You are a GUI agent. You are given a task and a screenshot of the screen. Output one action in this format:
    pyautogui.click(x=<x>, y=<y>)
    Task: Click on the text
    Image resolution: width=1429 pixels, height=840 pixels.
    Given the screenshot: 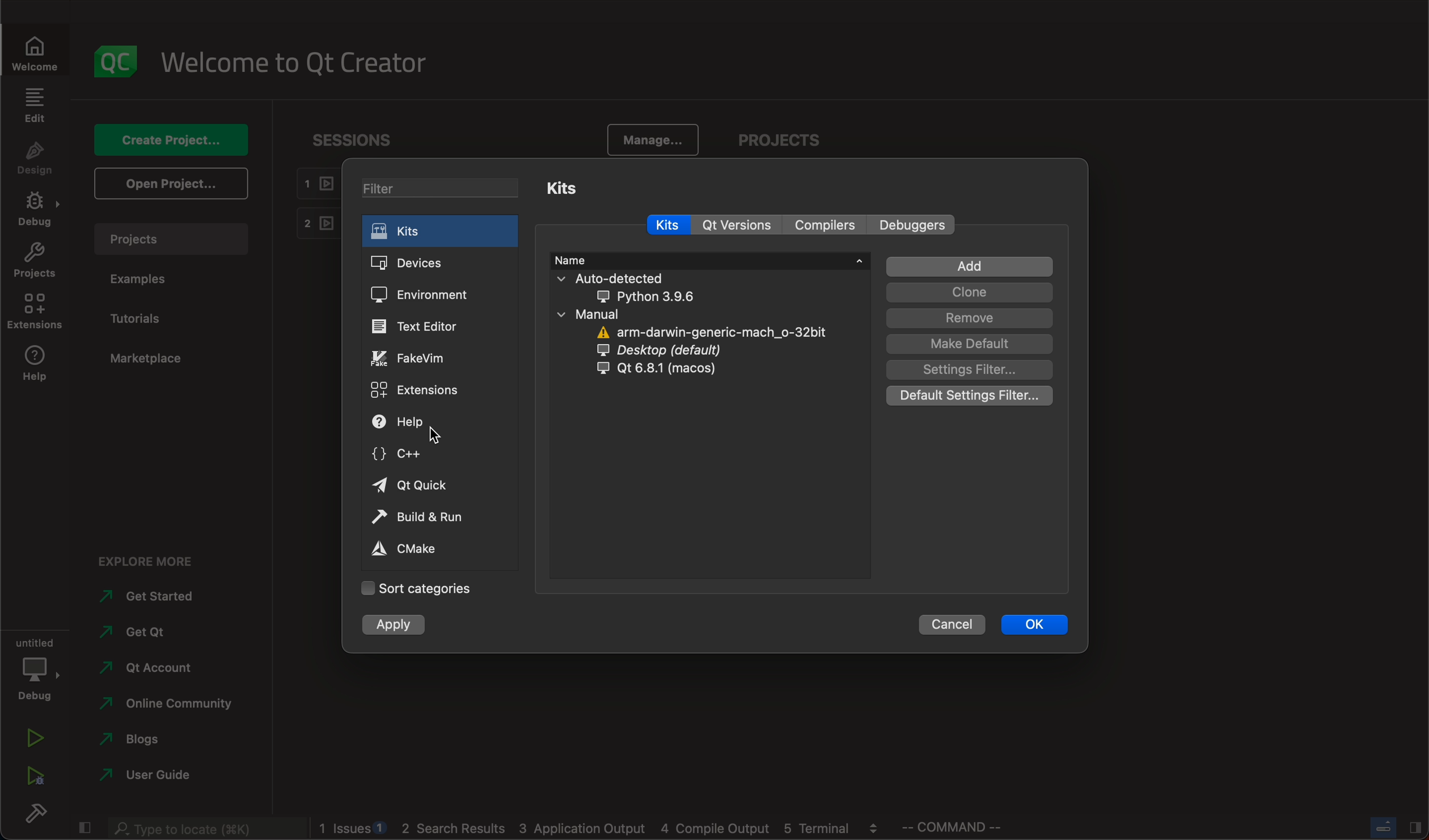 What is the action you would take?
    pyautogui.click(x=426, y=327)
    